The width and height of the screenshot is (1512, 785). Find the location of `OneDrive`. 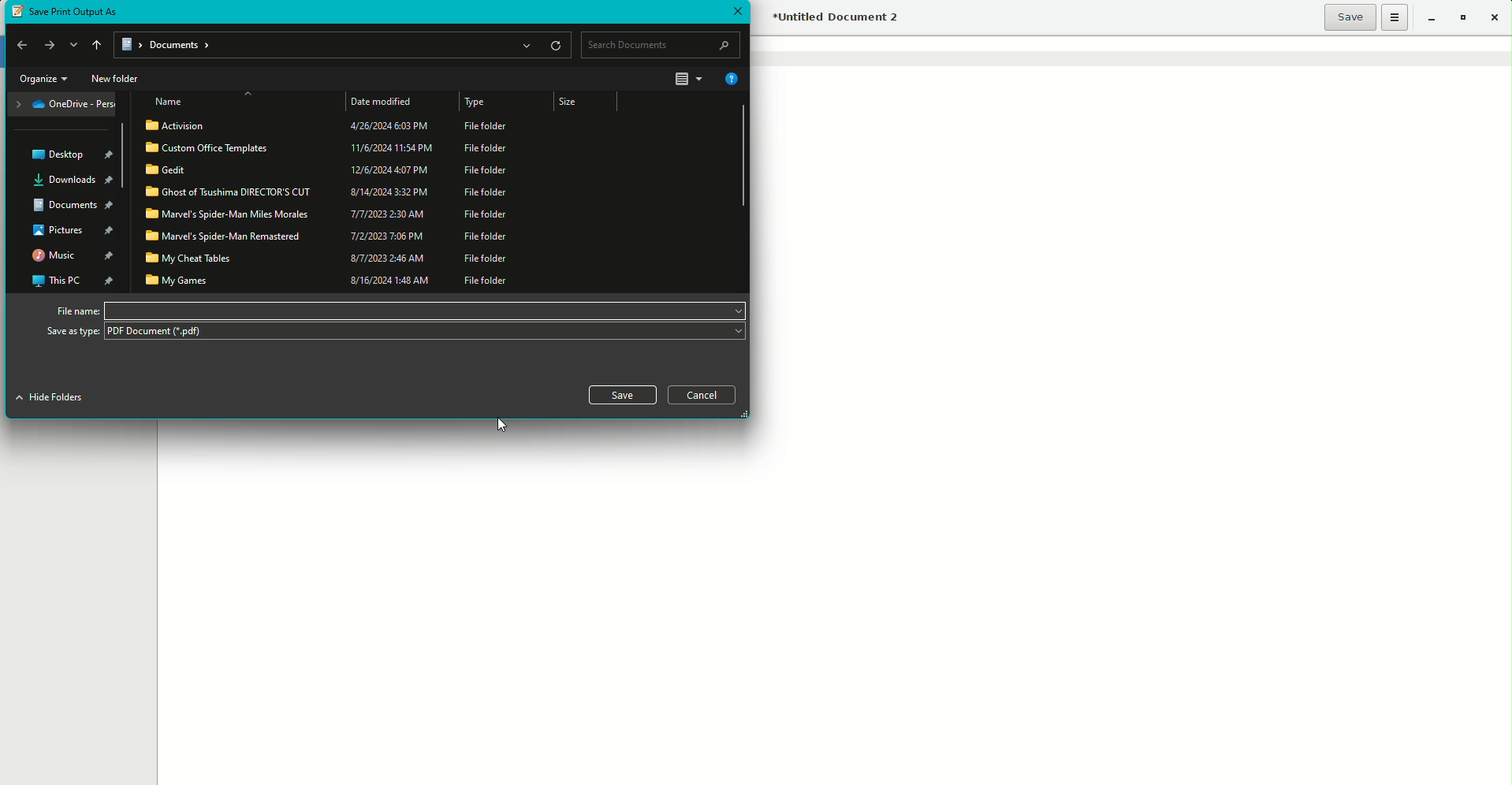

OneDrive is located at coordinates (65, 105).